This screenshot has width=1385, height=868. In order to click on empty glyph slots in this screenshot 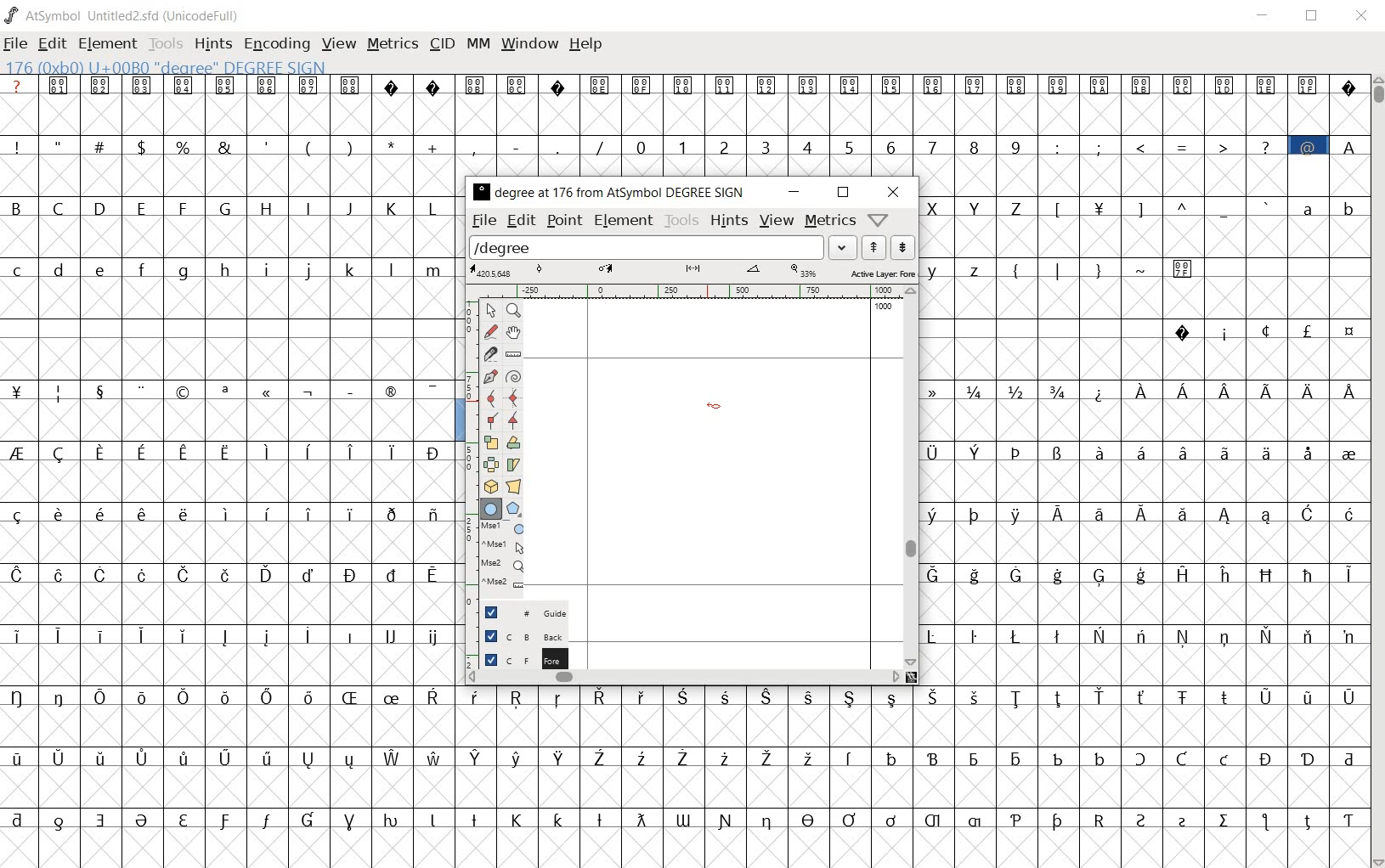, I will do `click(226, 479)`.